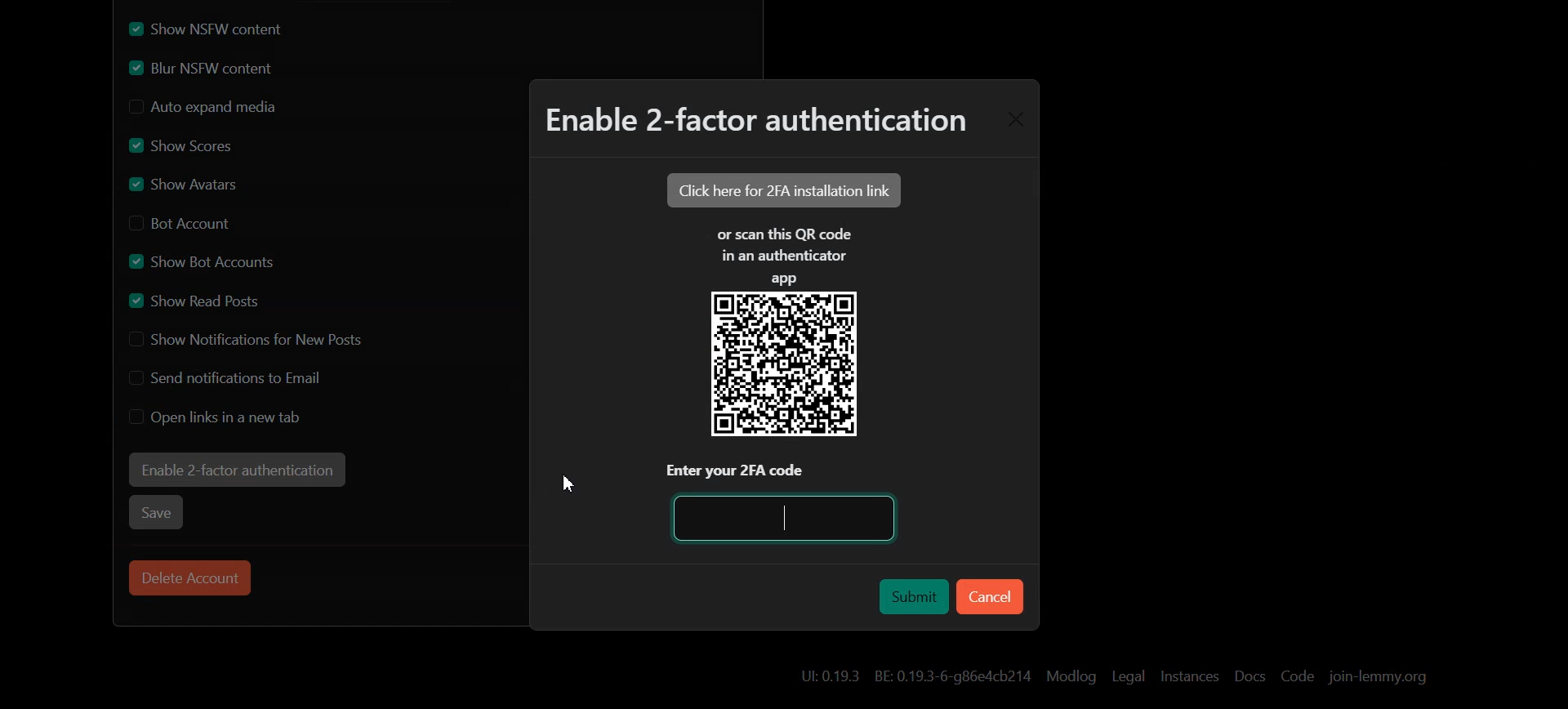 The height and width of the screenshot is (709, 1568). Describe the element at coordinates (187, 221) in the screenshot. I see `Disable Bot Account` at that location.